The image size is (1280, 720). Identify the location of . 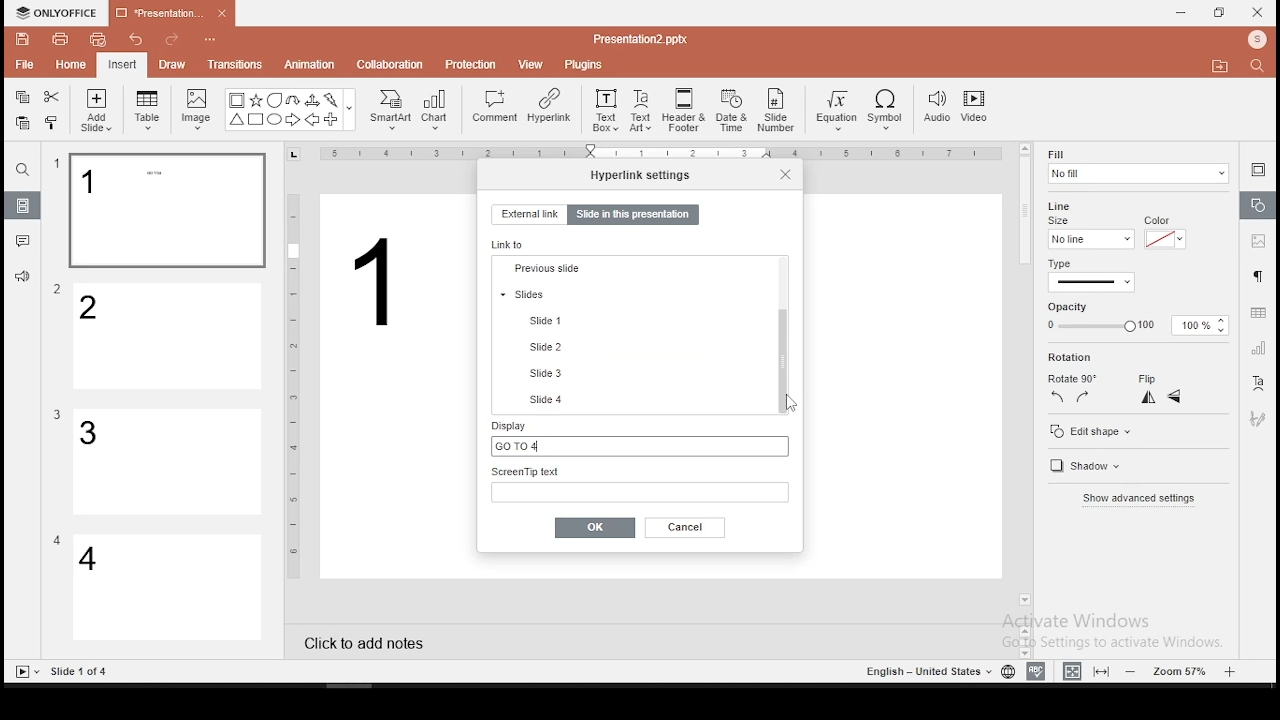
(57, 415).